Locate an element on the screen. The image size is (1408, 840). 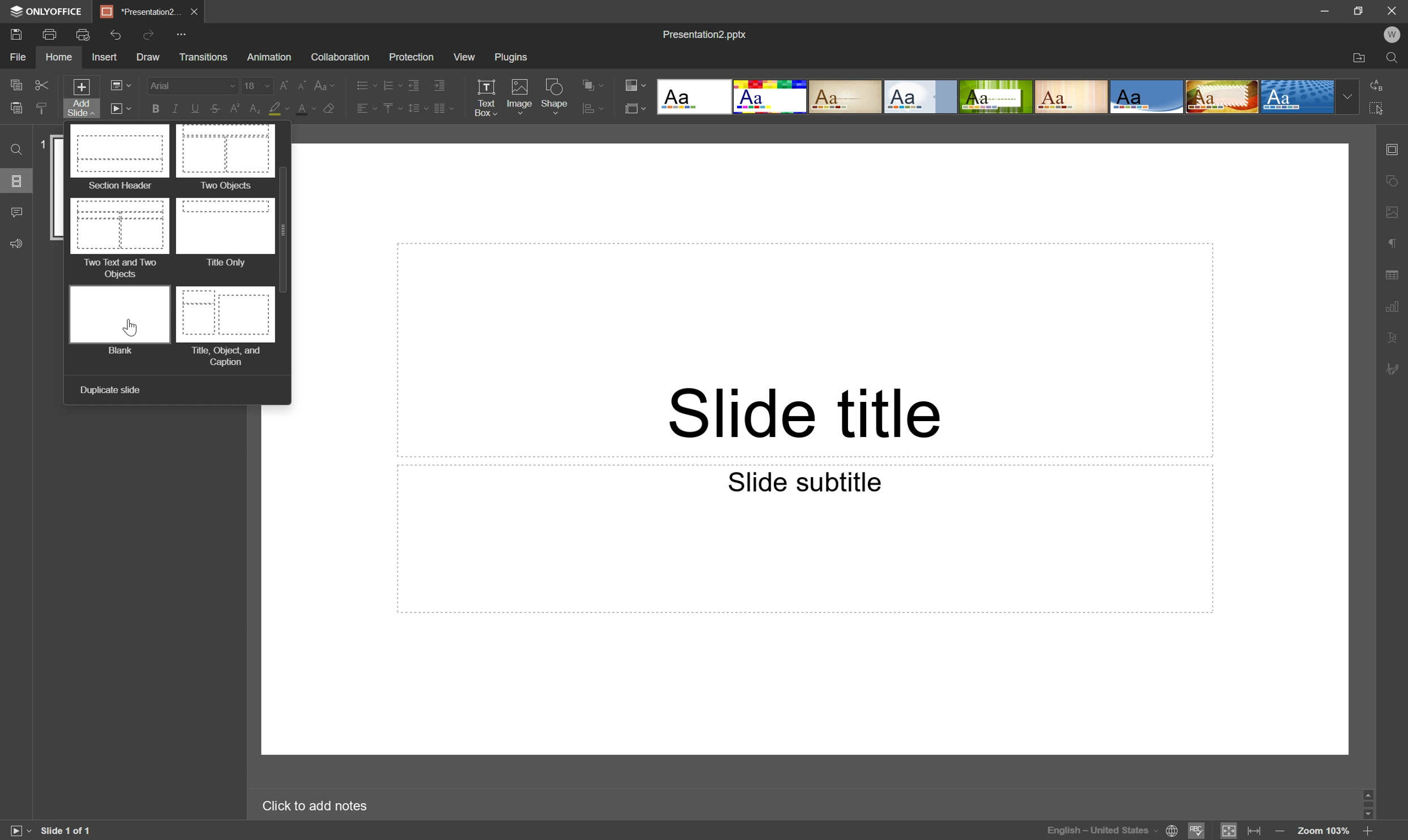
Click to add notes is located at coordinates (322, 804).